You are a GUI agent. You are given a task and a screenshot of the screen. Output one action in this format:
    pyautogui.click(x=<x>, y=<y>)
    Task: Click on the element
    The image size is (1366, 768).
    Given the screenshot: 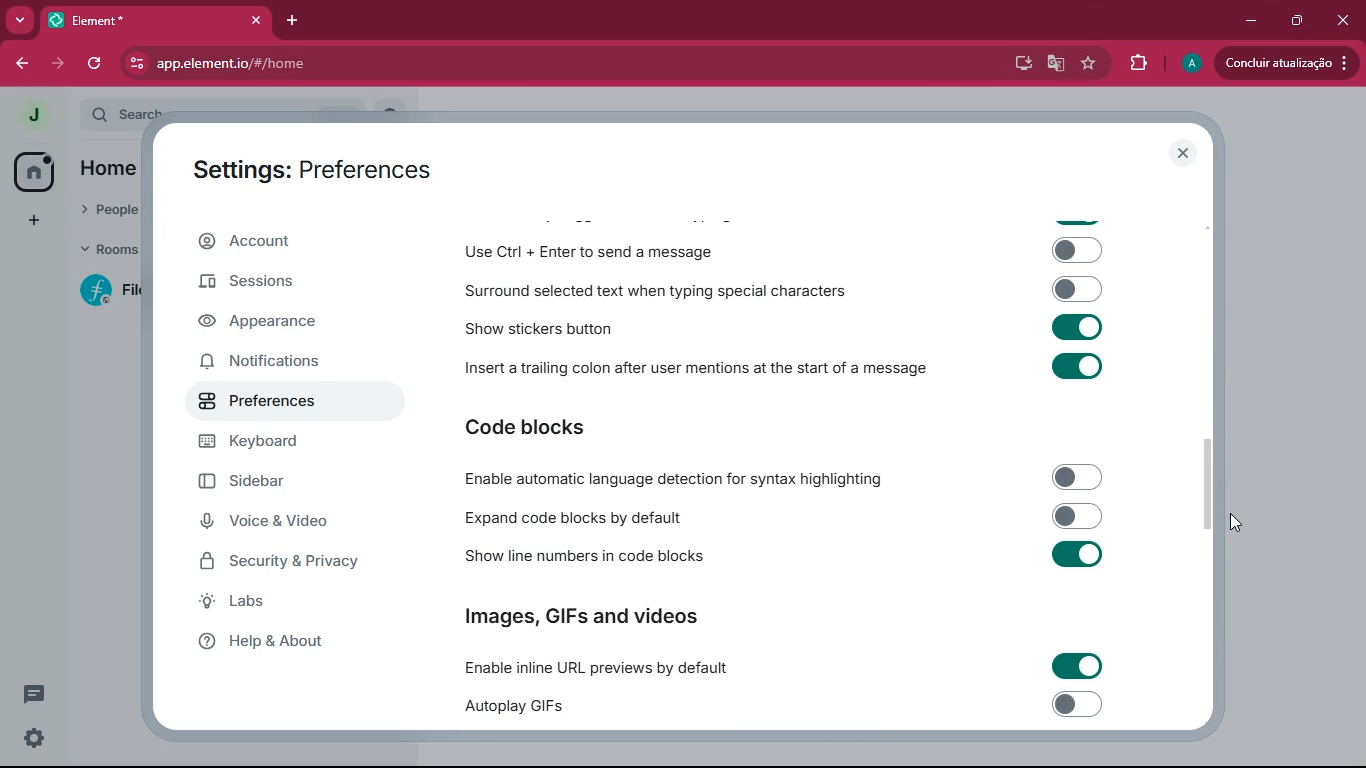 What is the action you would take?
    pyautogui.click(x=155, y=20)
    